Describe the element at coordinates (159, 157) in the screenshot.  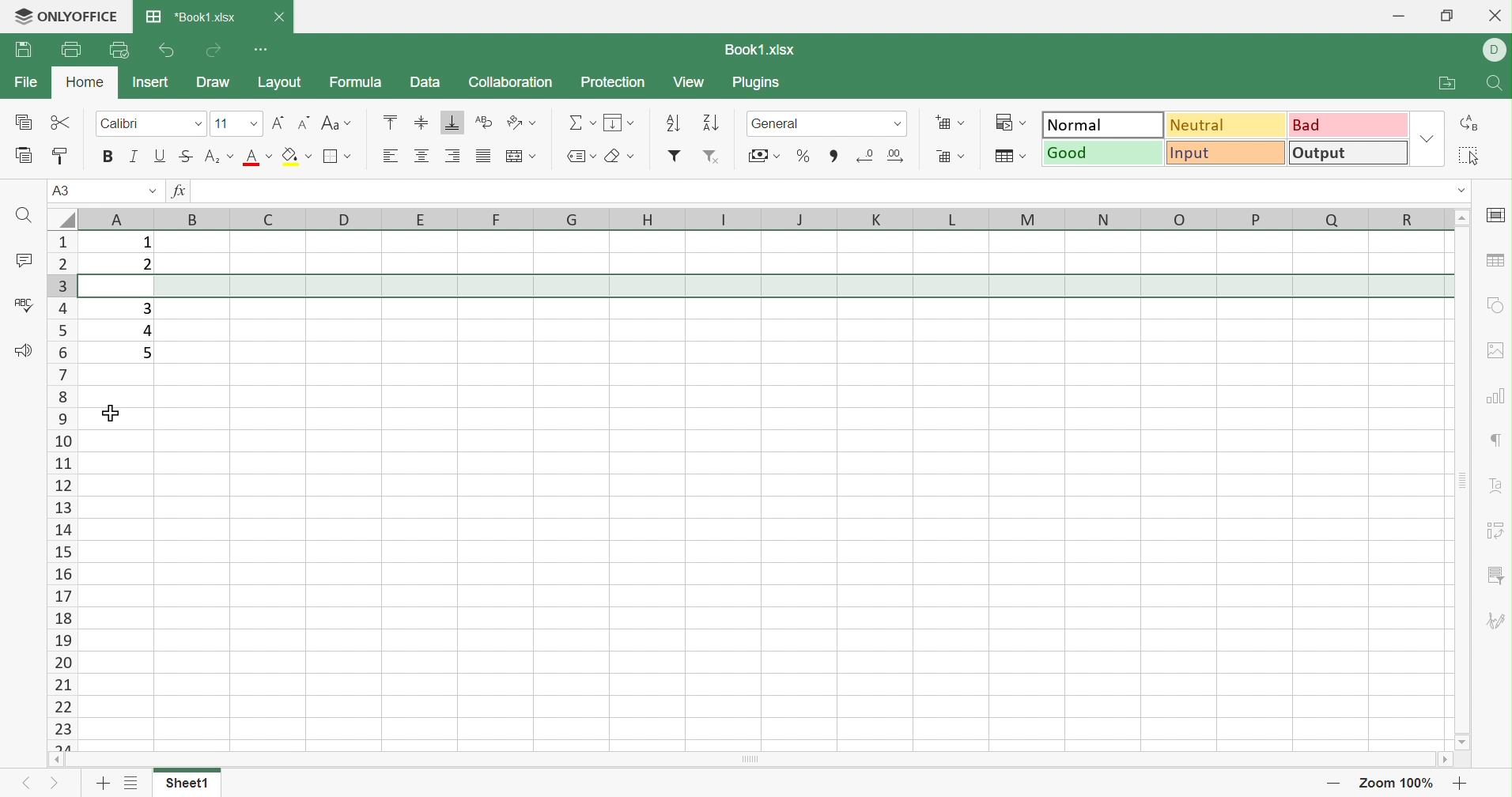
I see `Underline` at that location.